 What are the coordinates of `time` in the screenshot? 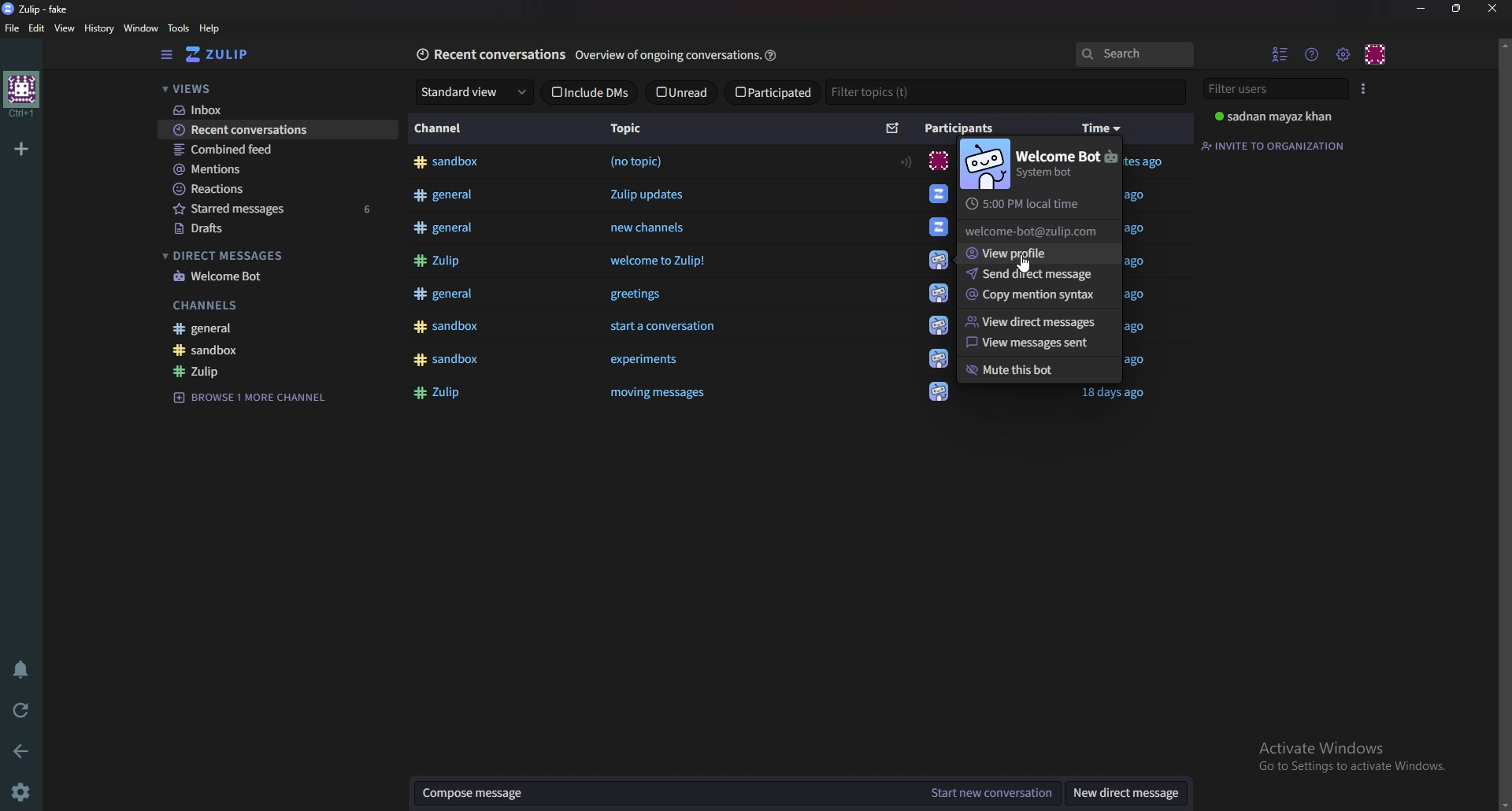 It's located at (1102, 130).